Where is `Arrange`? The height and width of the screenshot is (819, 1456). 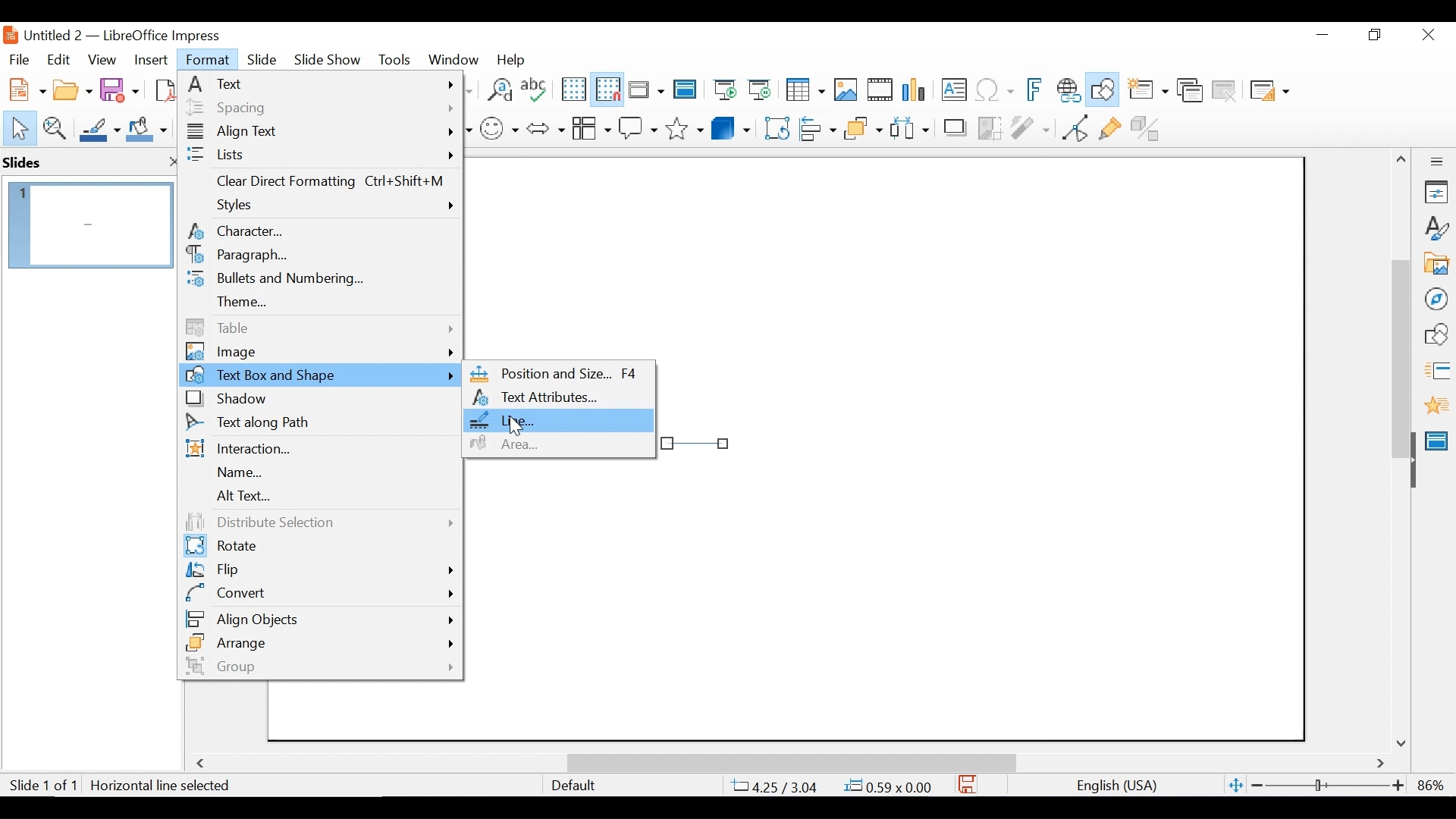
Arrange is located at coordinates (319, 642).